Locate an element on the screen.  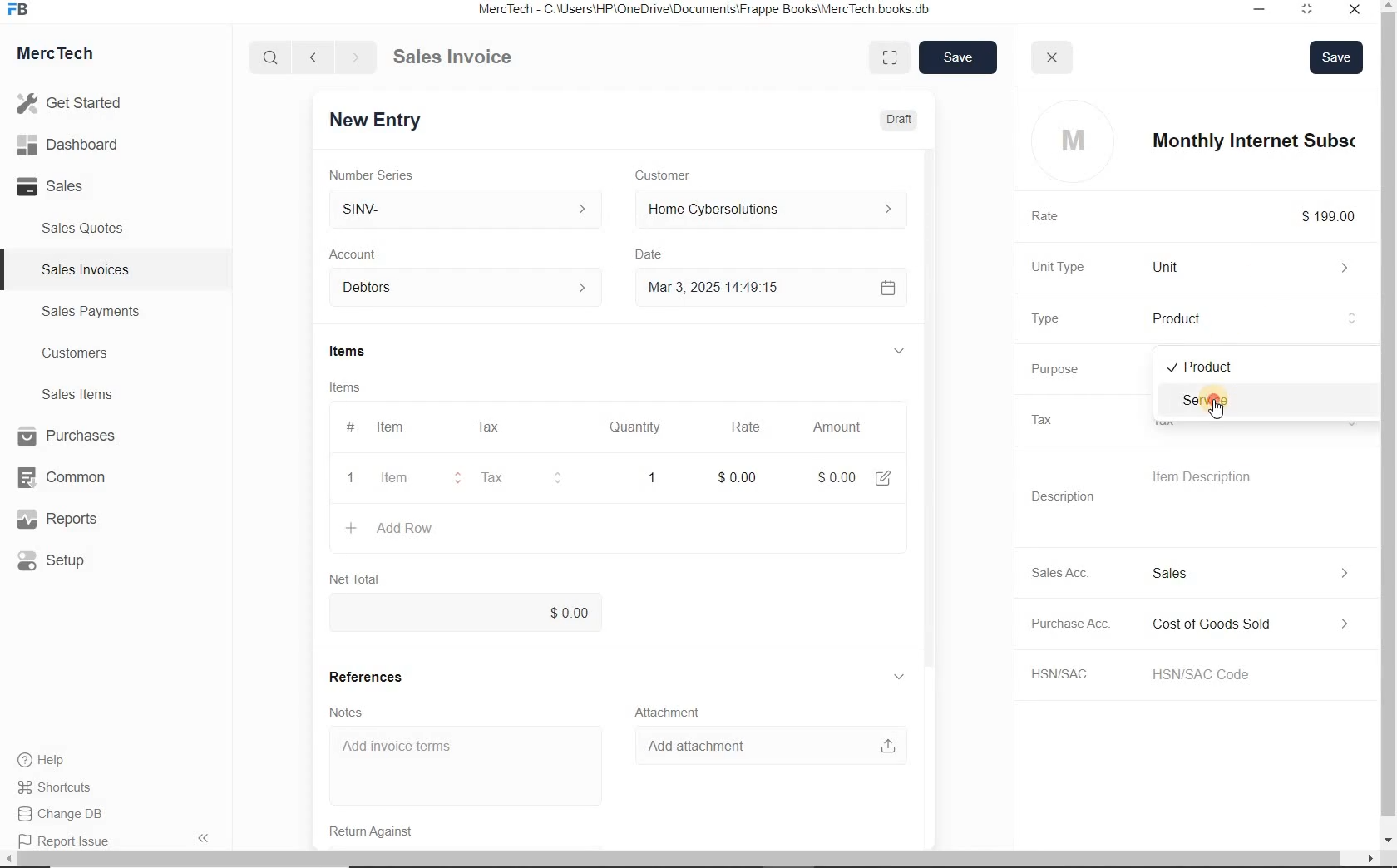
Notes is located at coordinates (359, 711).